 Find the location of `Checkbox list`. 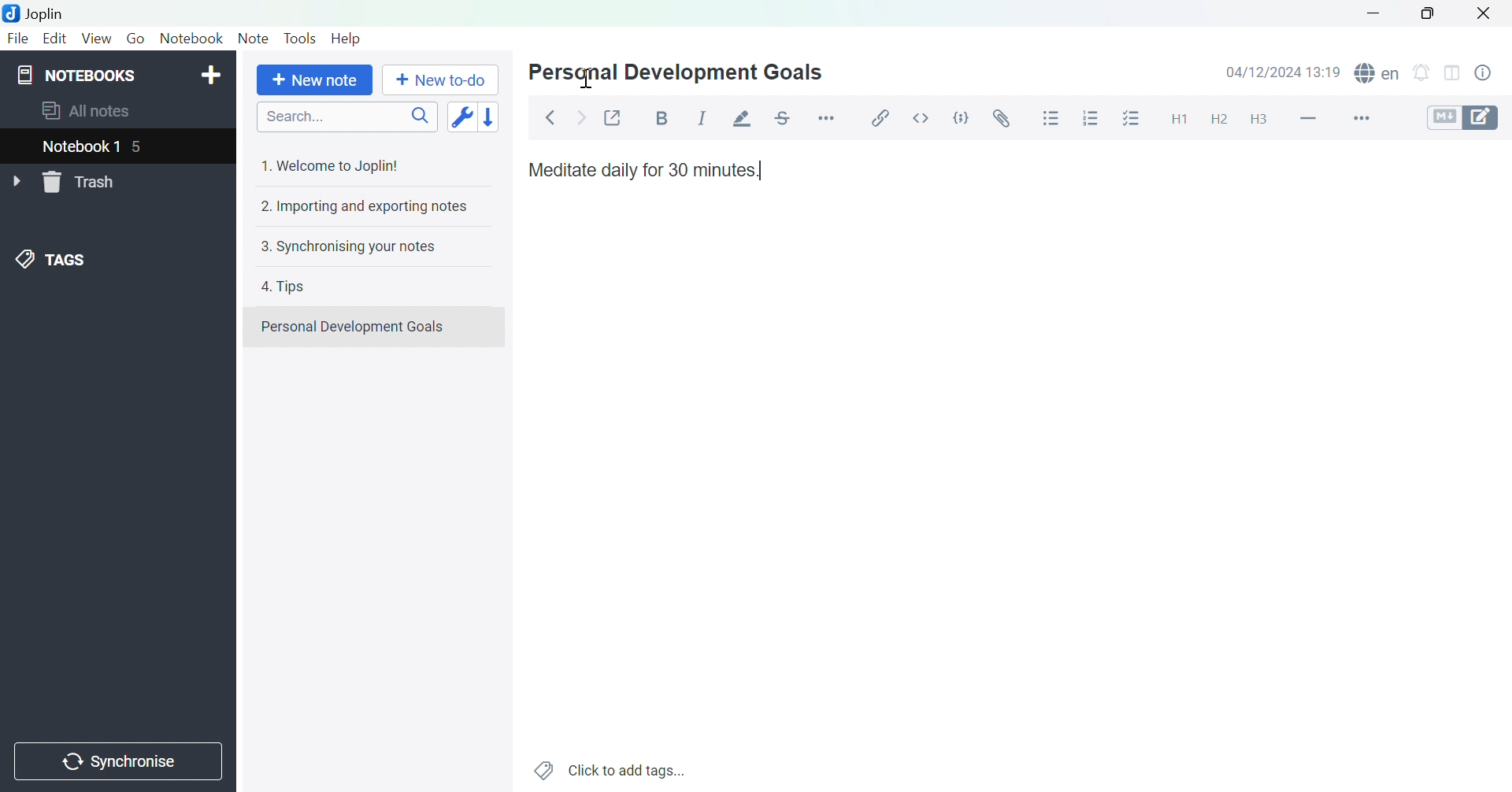

Checkbox list is located at coordinates (1128, 120).